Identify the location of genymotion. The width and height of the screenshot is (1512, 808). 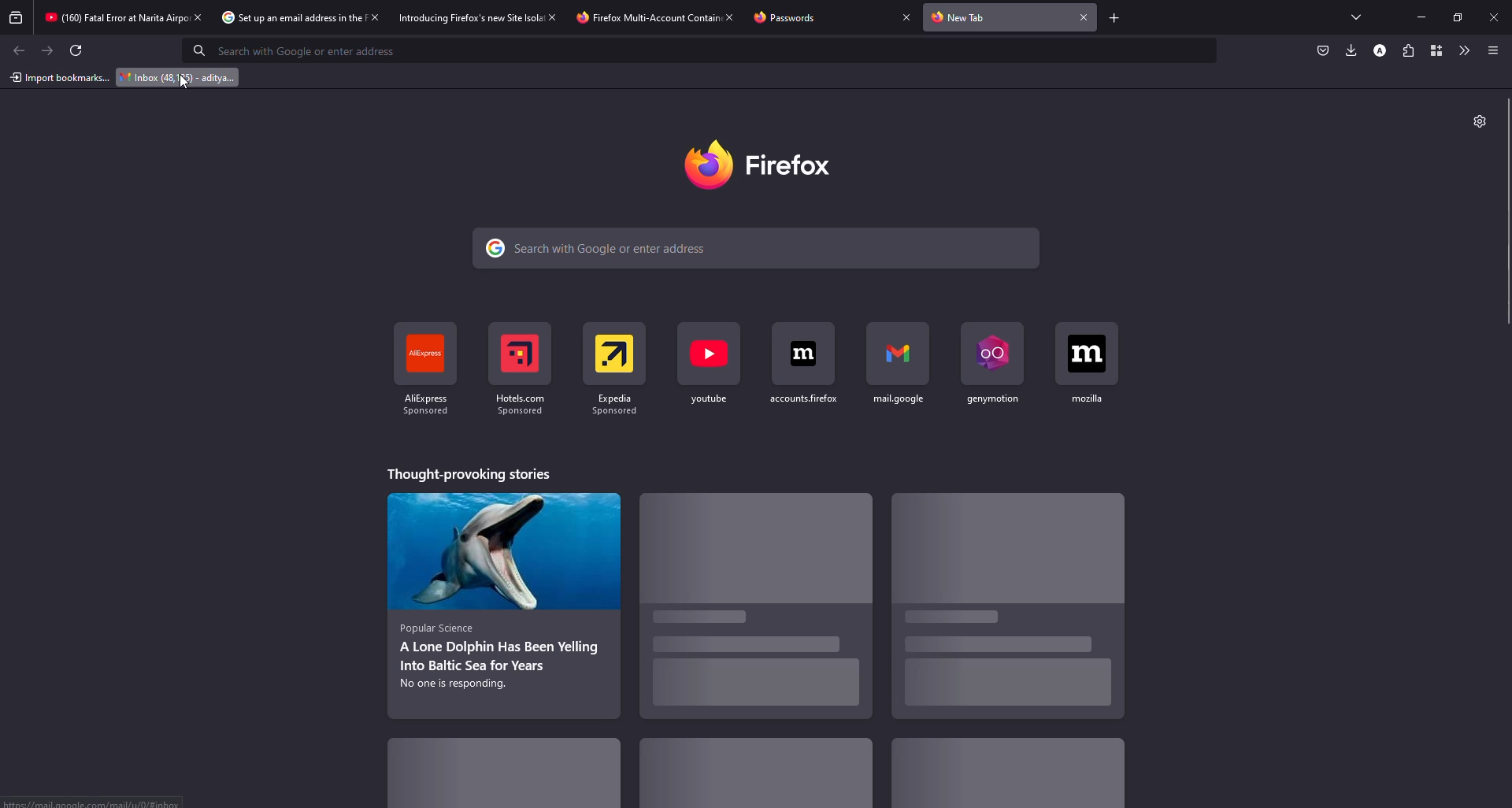
(988, 399).